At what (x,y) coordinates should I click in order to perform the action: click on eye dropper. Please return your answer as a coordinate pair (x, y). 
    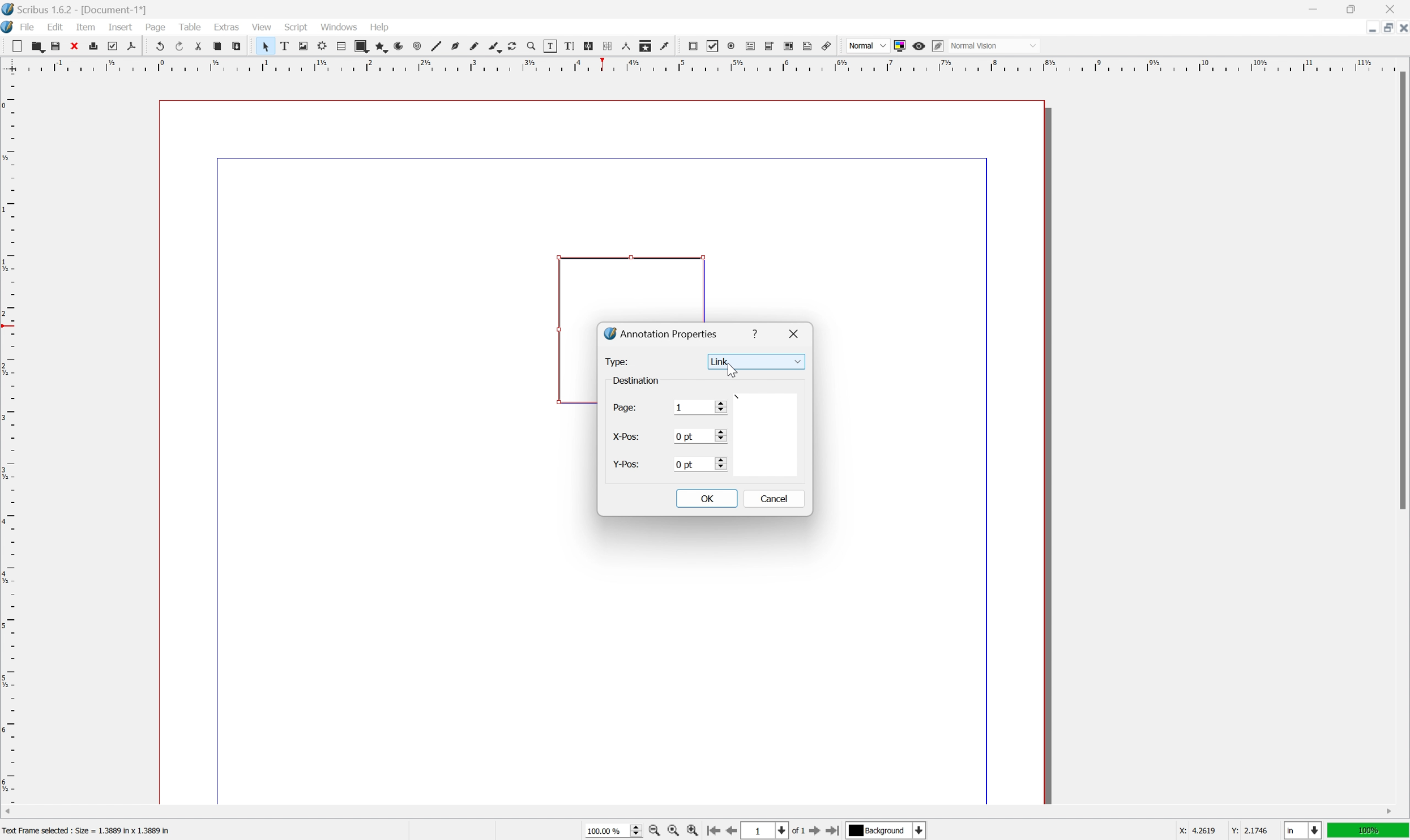
    Looking at the image, I should click on (665, 46).